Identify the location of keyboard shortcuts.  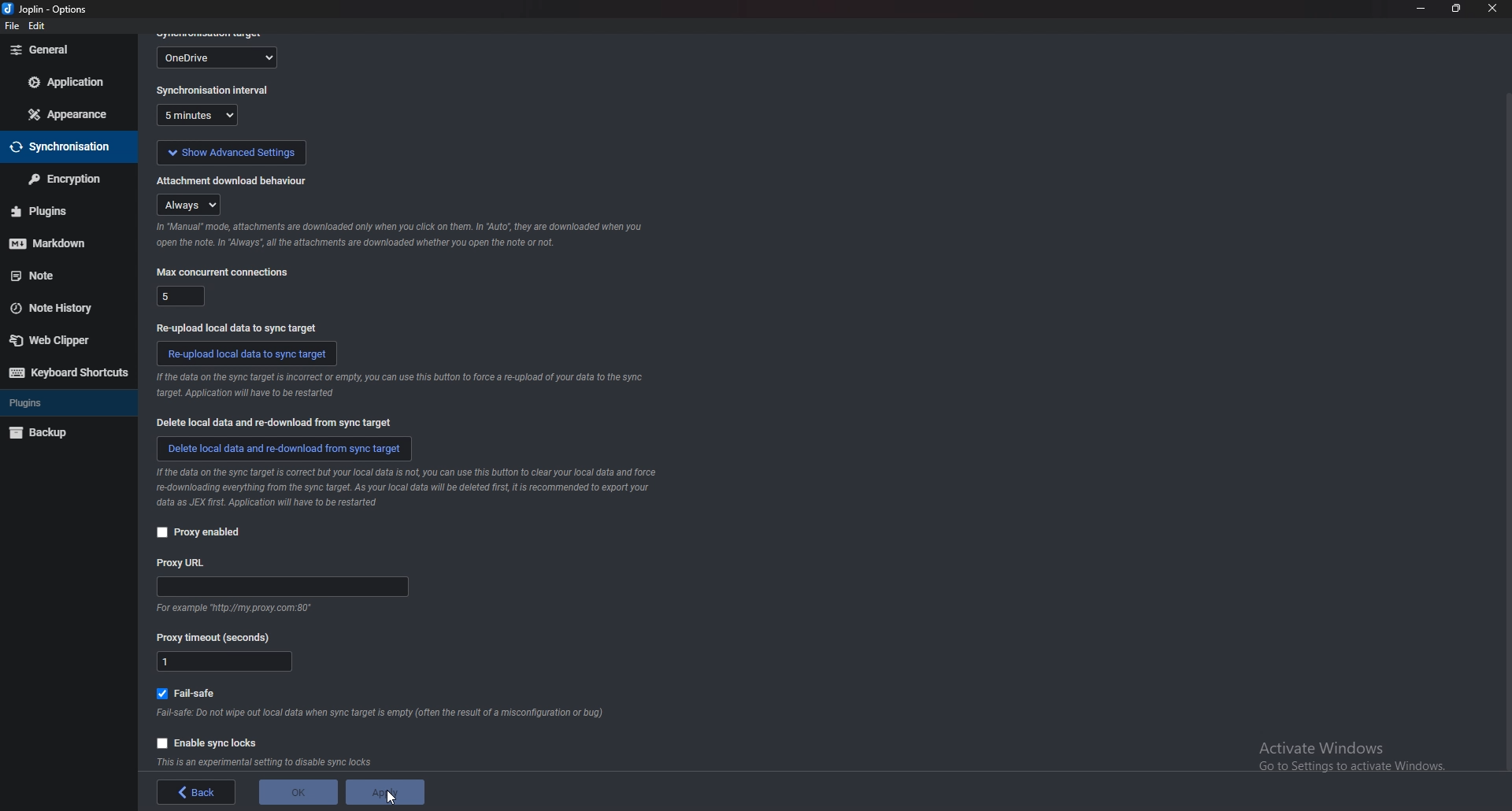
(68, 373).